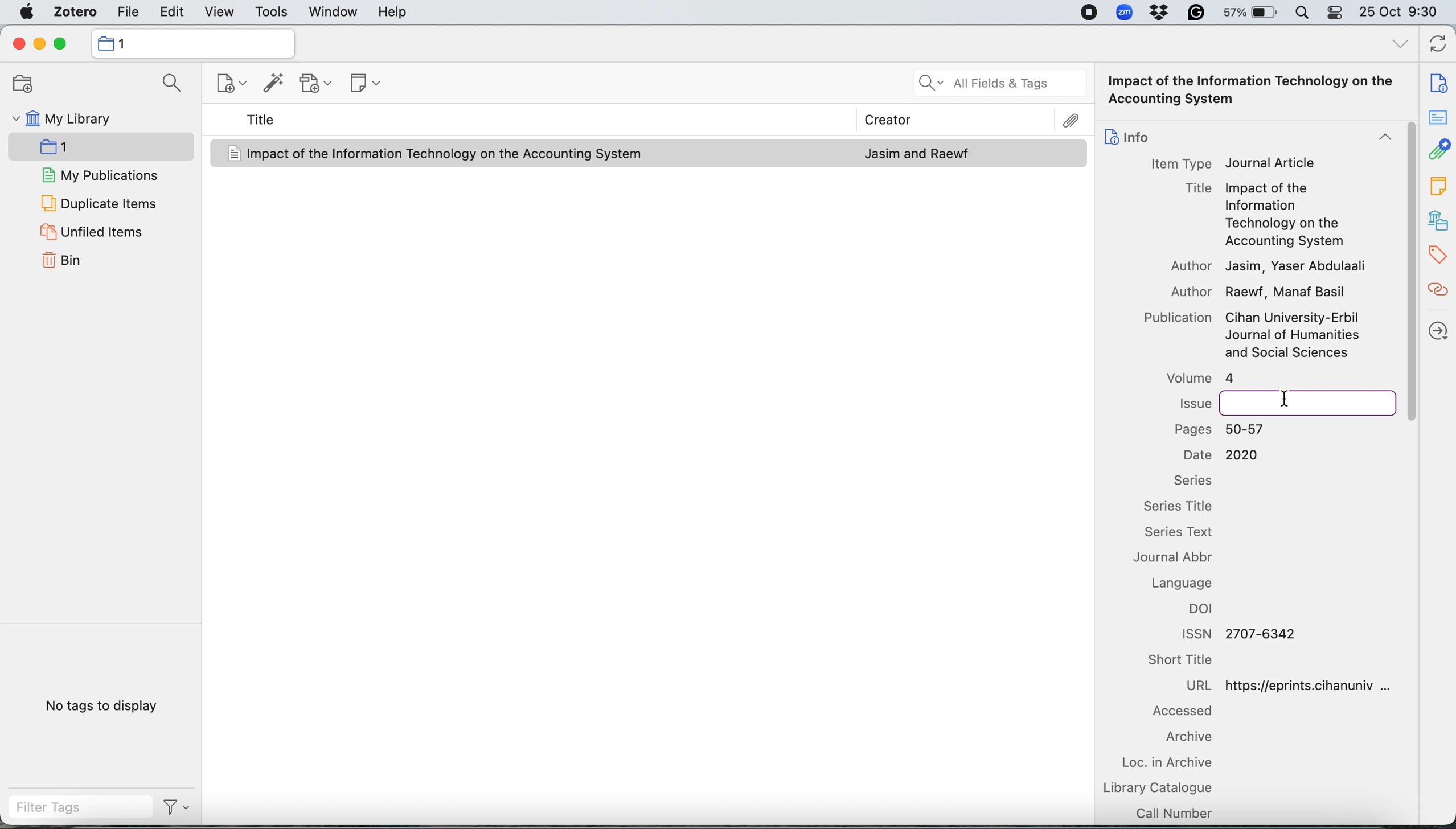 The width and height of the screenshot is (1456, 829). What do you see at coordinates (39, 43) in the screenshot?
I see `minimise` at bounding box center [39, 43].